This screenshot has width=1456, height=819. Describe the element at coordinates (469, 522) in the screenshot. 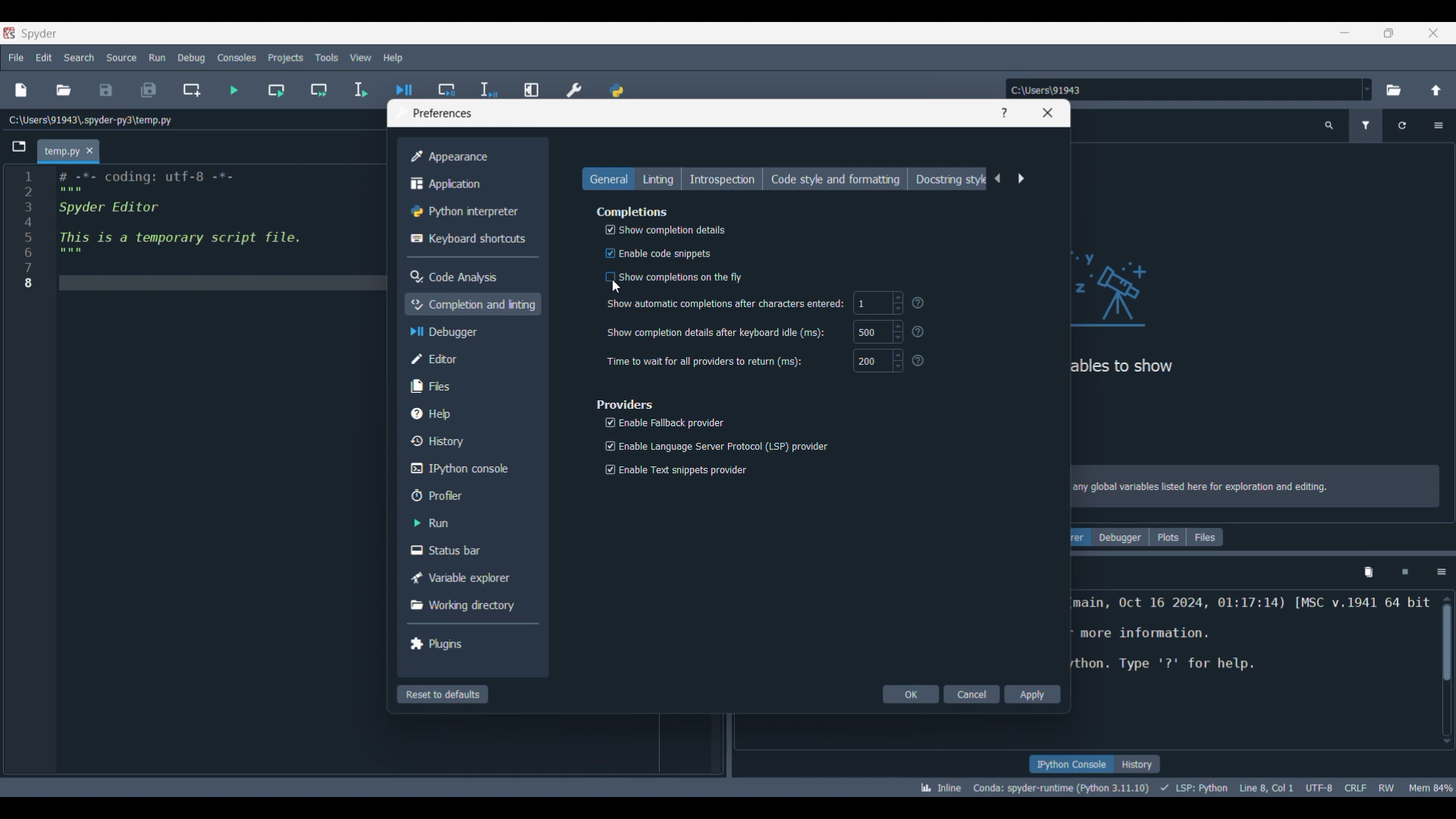

I see `Run` at that location.